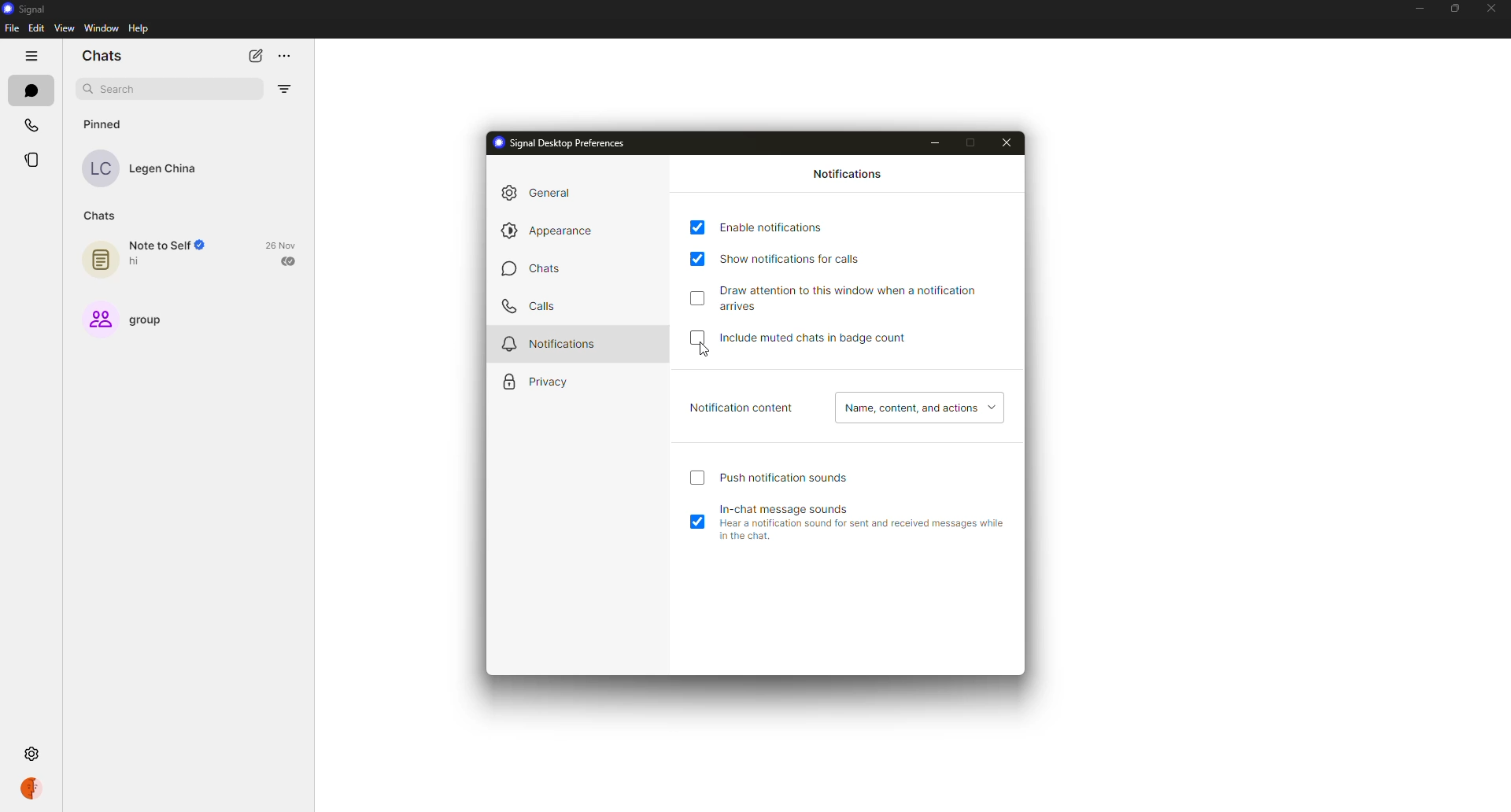 The image size is (1511, 812). Describe the element at coordinates (866, 530) in the screenshot. I see `Hear a notification sound for sent and received messages while
in the chat.` at that location.